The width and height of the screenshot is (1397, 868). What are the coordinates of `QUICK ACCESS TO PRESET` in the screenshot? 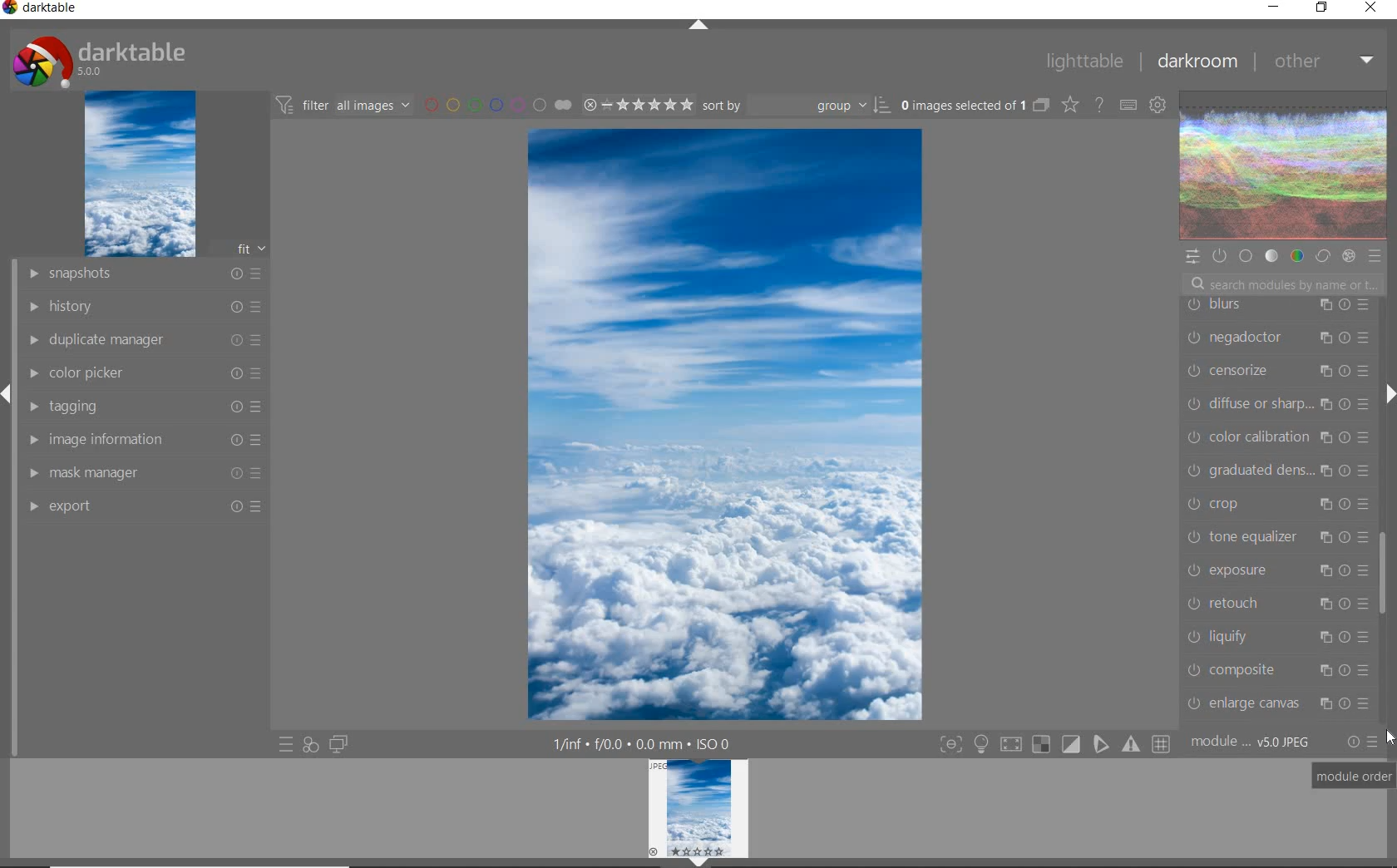 It's located at (285, 745).